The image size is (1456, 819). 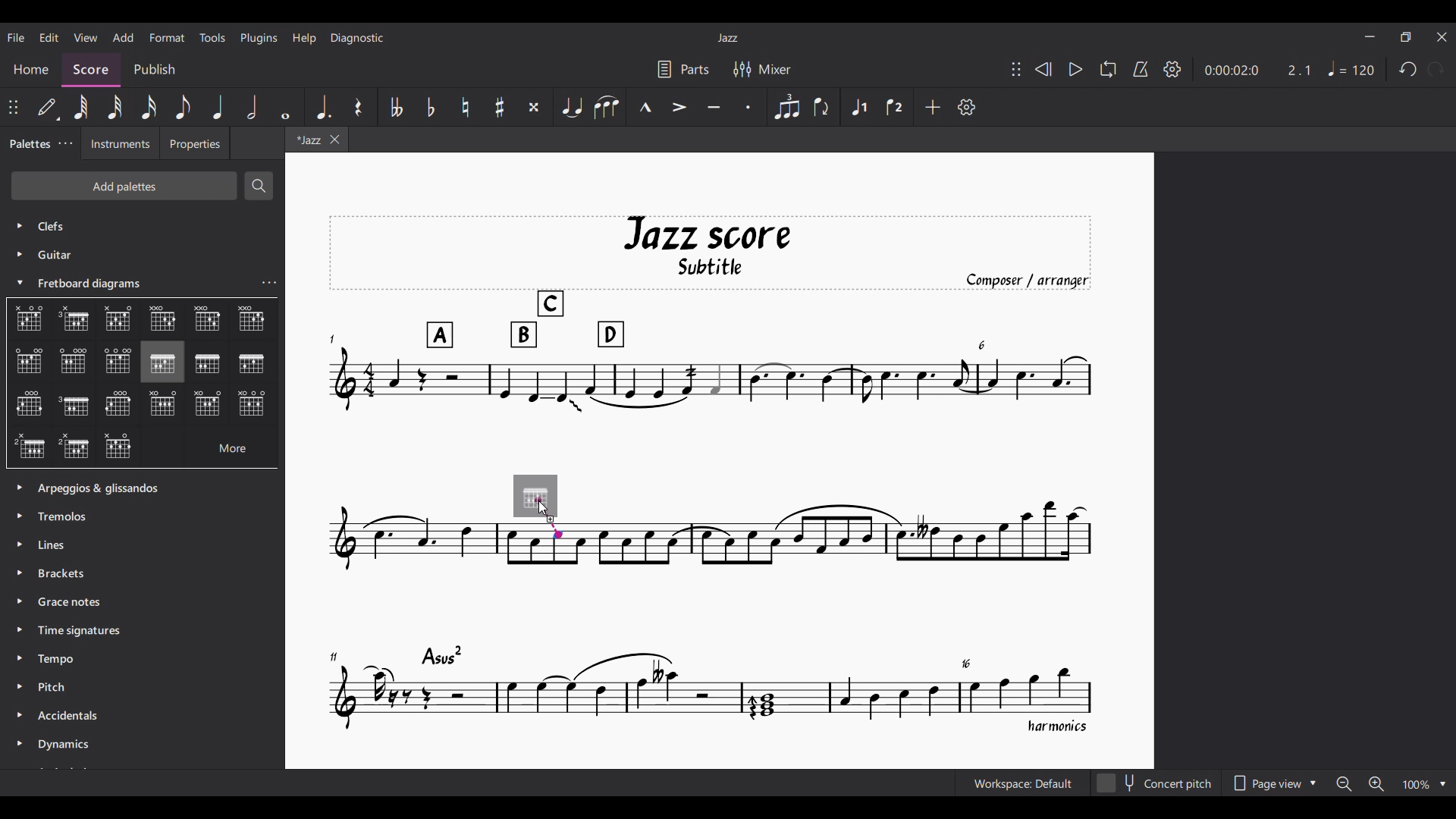 What do you see at coordinates (28, 149) in the screenshot?
I see `Palettes, current selection` at bounding box center [28, 149].